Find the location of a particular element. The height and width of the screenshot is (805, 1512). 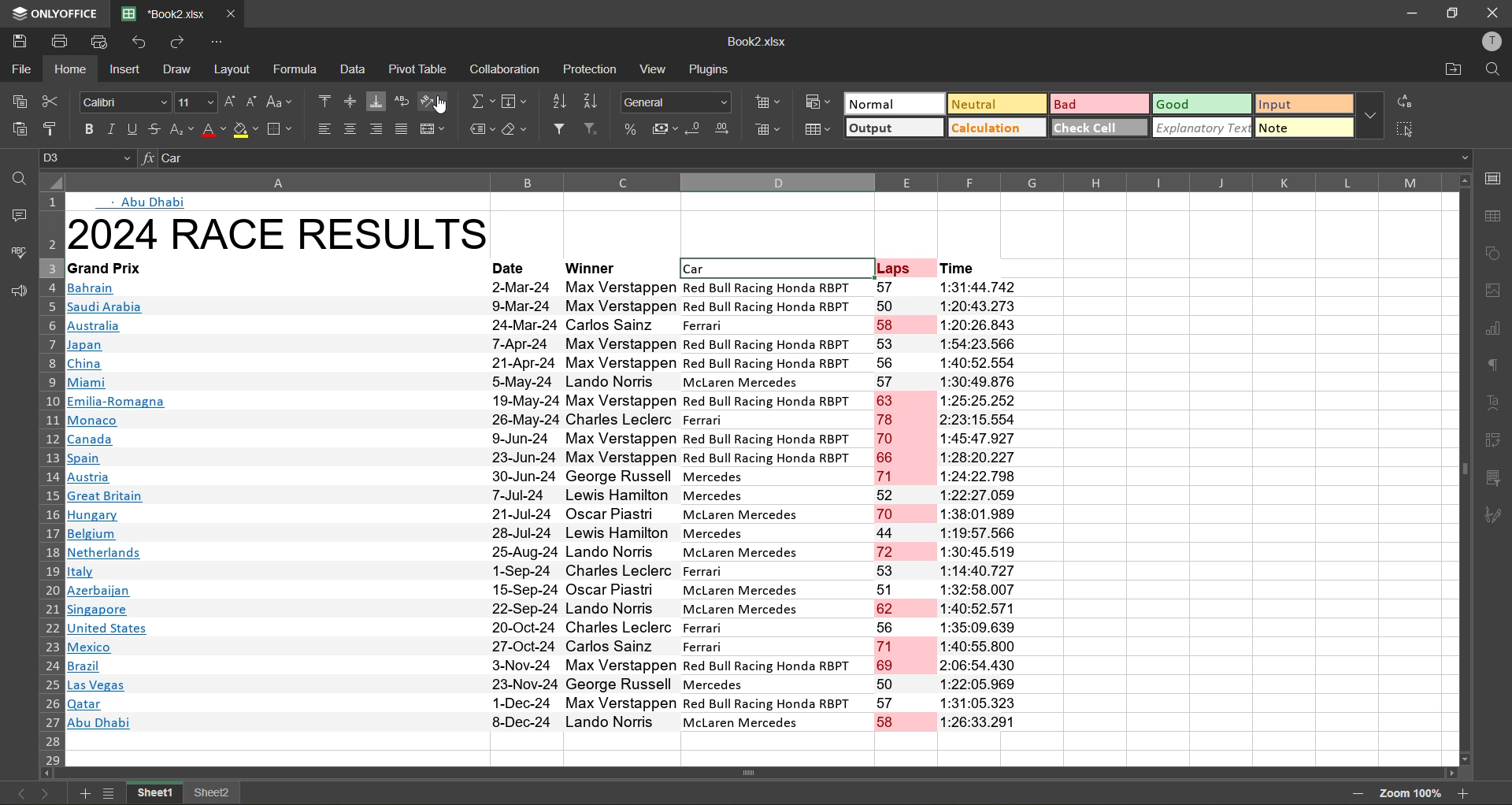

bold is located at coordinates (89, 129).